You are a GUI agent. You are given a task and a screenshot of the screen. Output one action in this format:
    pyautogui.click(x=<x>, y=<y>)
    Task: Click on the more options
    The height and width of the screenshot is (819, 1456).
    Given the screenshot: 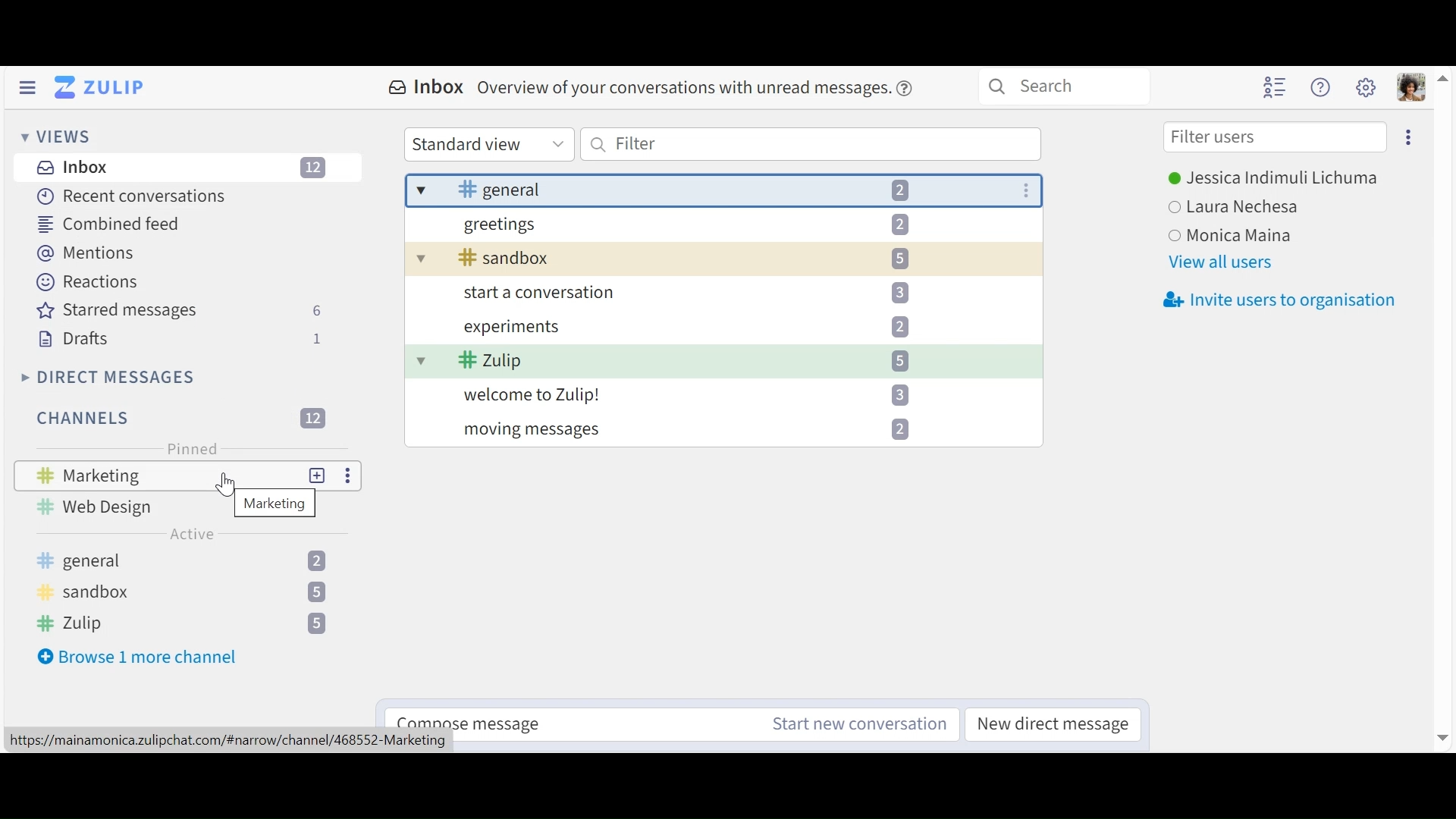 What is the action you would take?
    pyautogui.click(x=347, y=475)
    